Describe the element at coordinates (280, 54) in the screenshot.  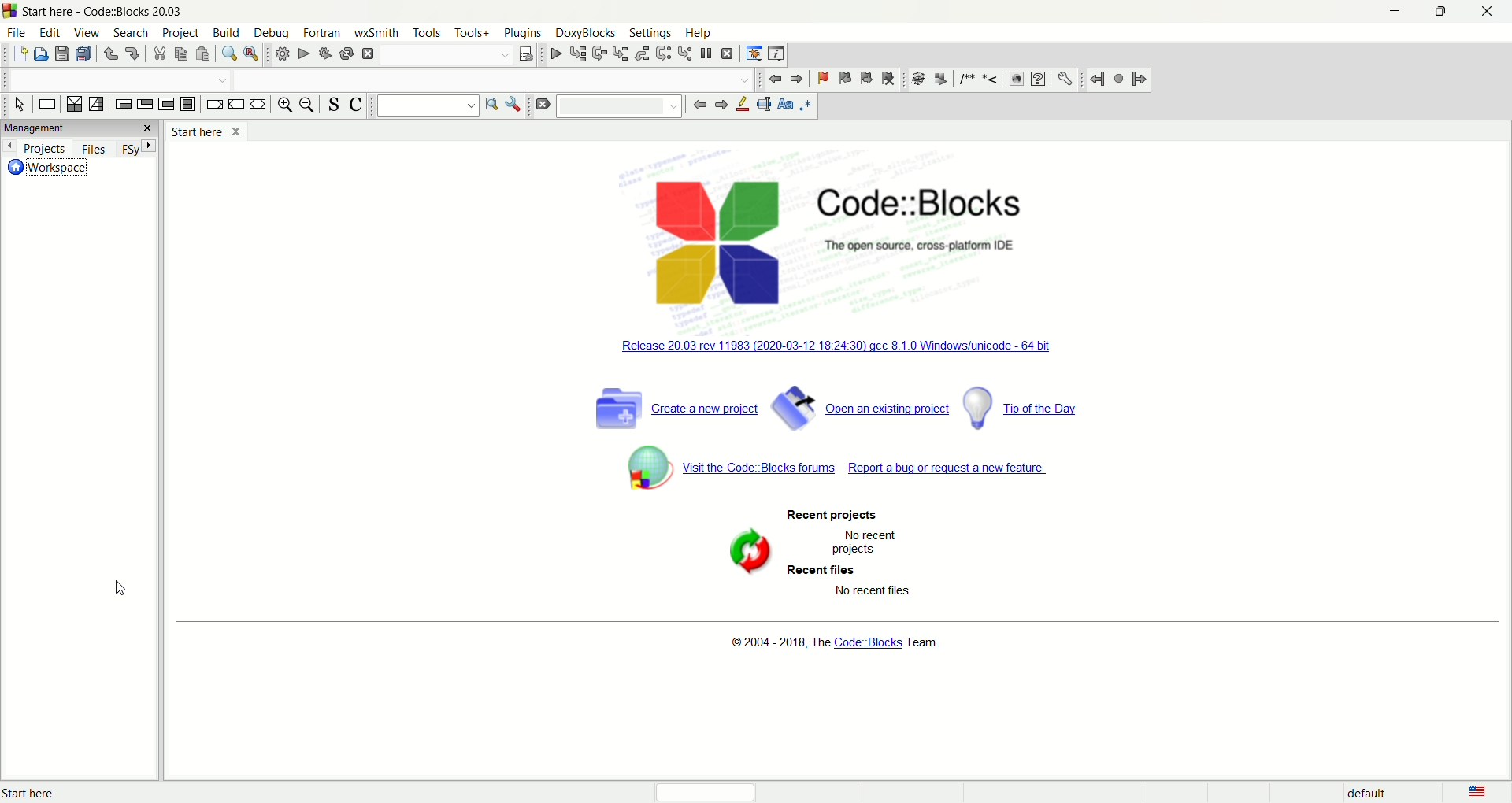
I see `build` at that location.